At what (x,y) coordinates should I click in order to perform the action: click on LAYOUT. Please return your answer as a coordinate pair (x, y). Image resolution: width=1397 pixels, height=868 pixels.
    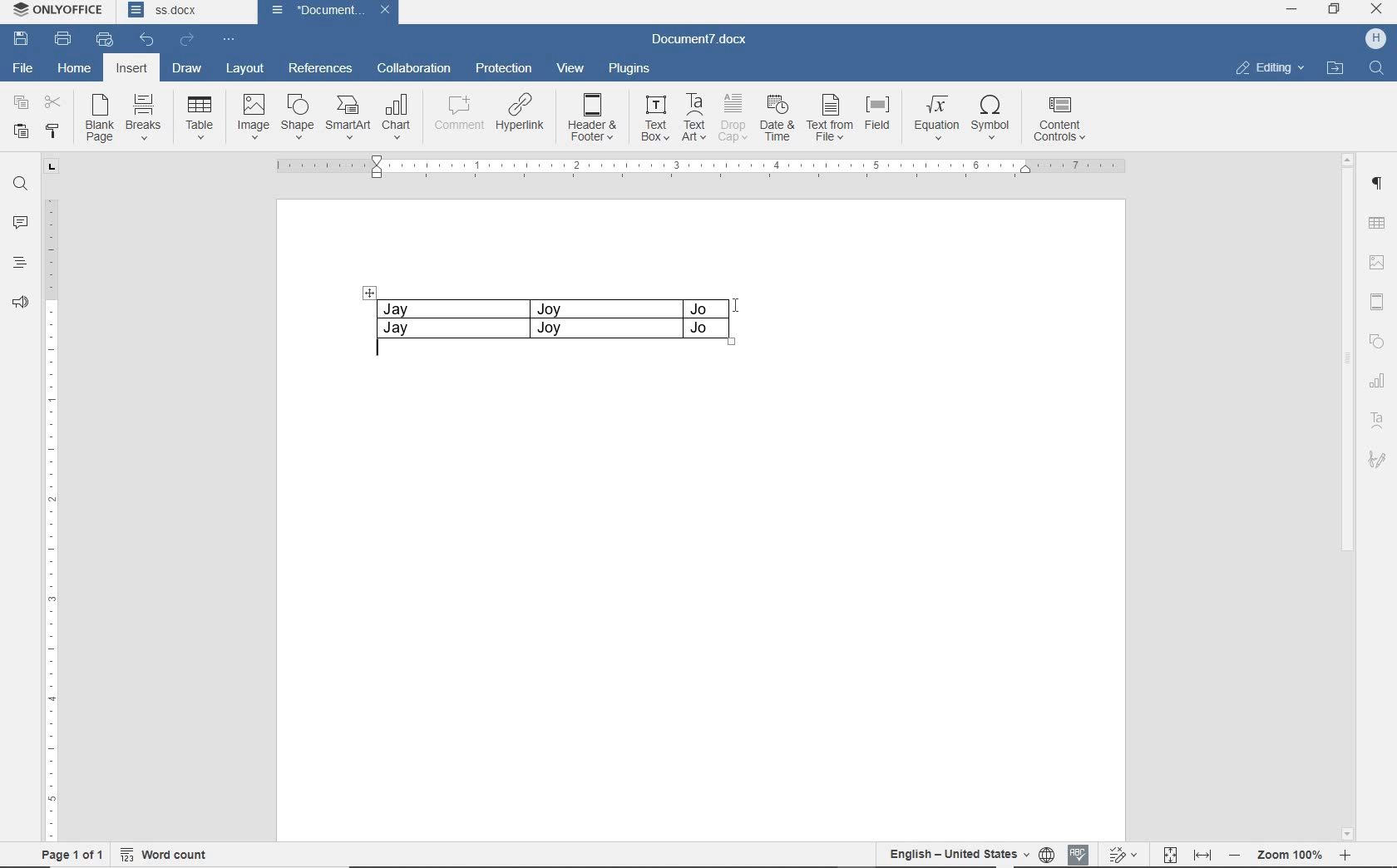
    Looking at the image, I should click on (245, 69).